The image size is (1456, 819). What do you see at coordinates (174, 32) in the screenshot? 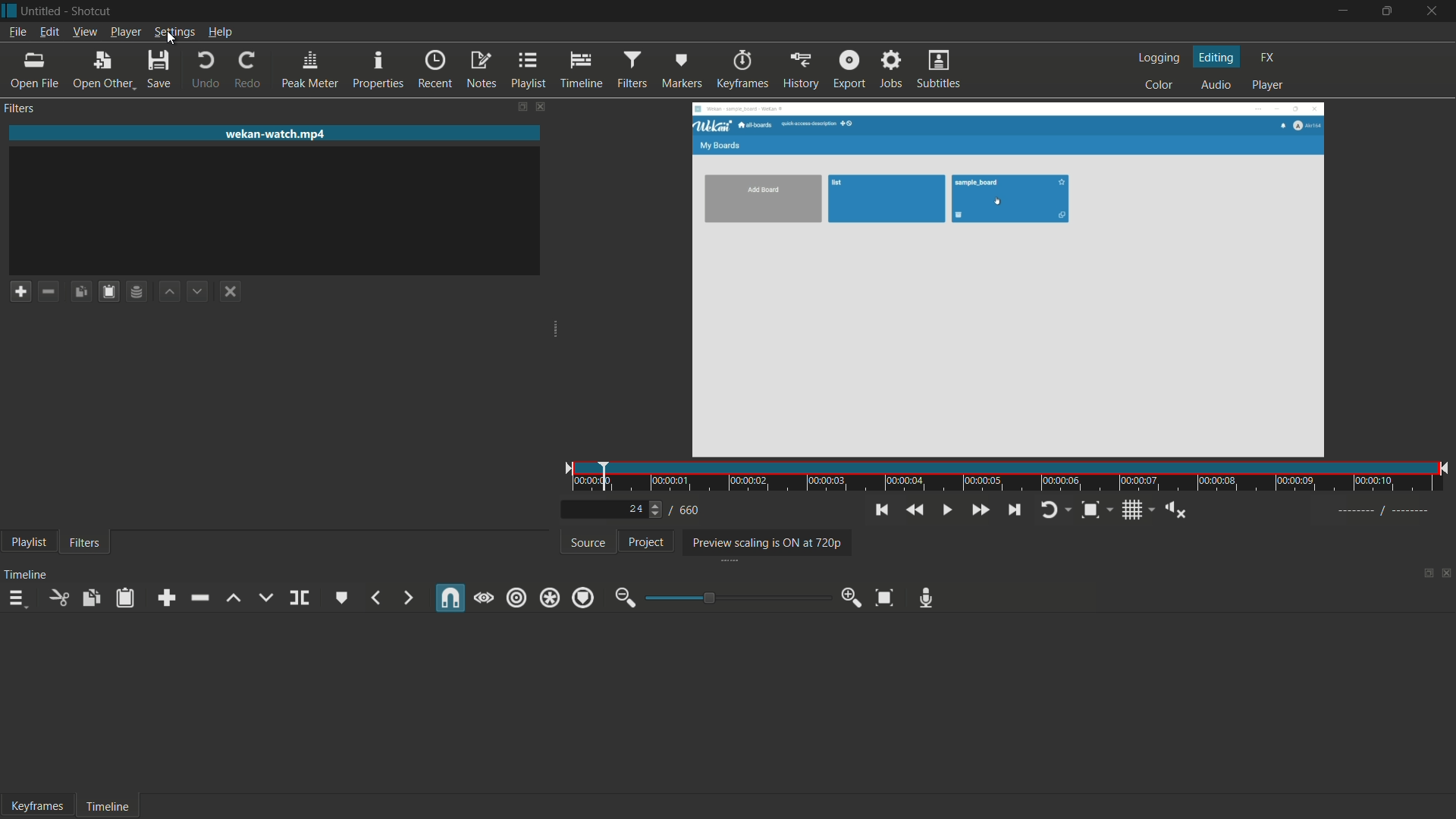
I see `settings menu` at bounding box center [174, 32].